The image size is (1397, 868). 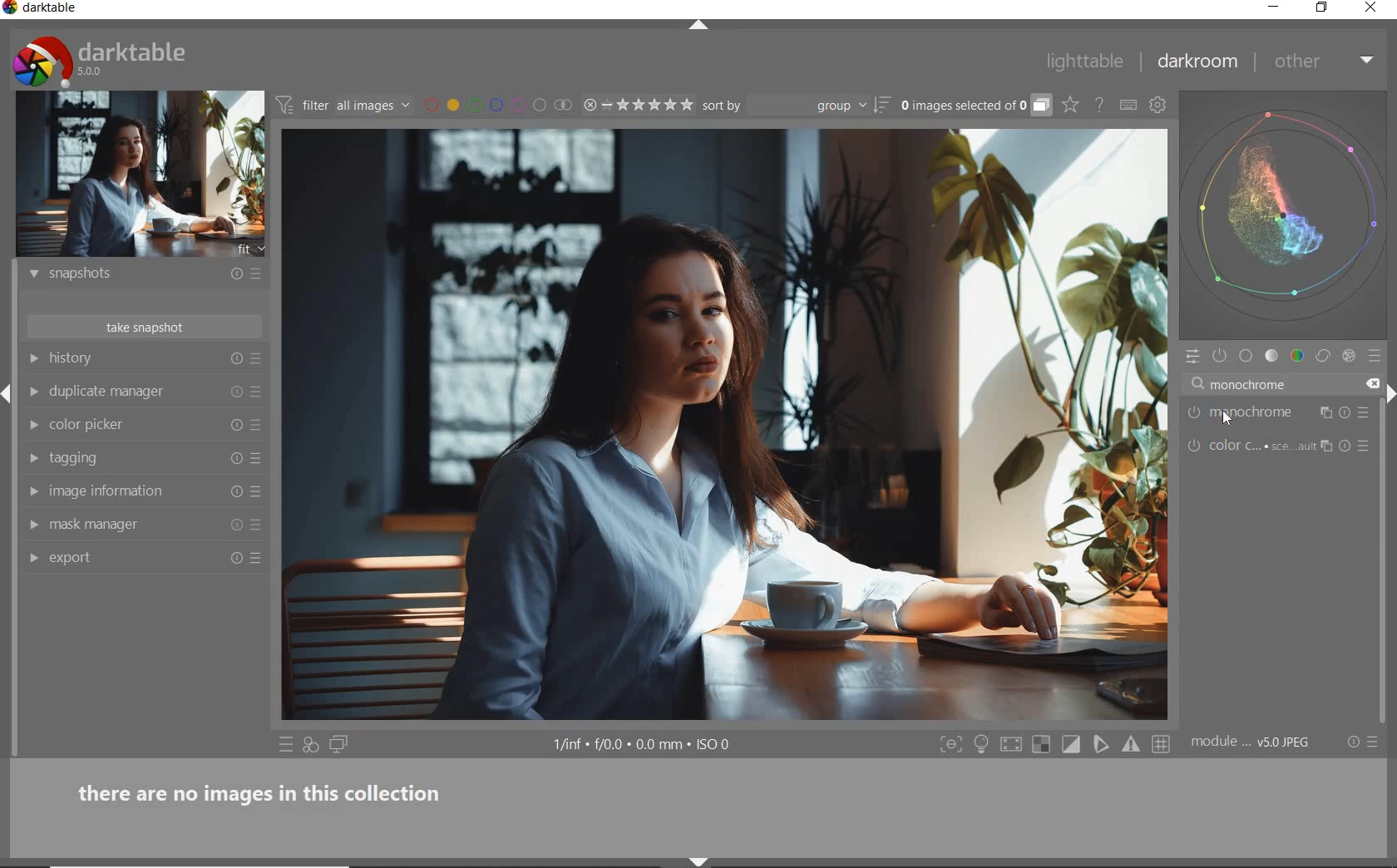 What do you see at coordinates (234, 492) in the screenshot?
I see `reset` at bounding box center [234, 492].